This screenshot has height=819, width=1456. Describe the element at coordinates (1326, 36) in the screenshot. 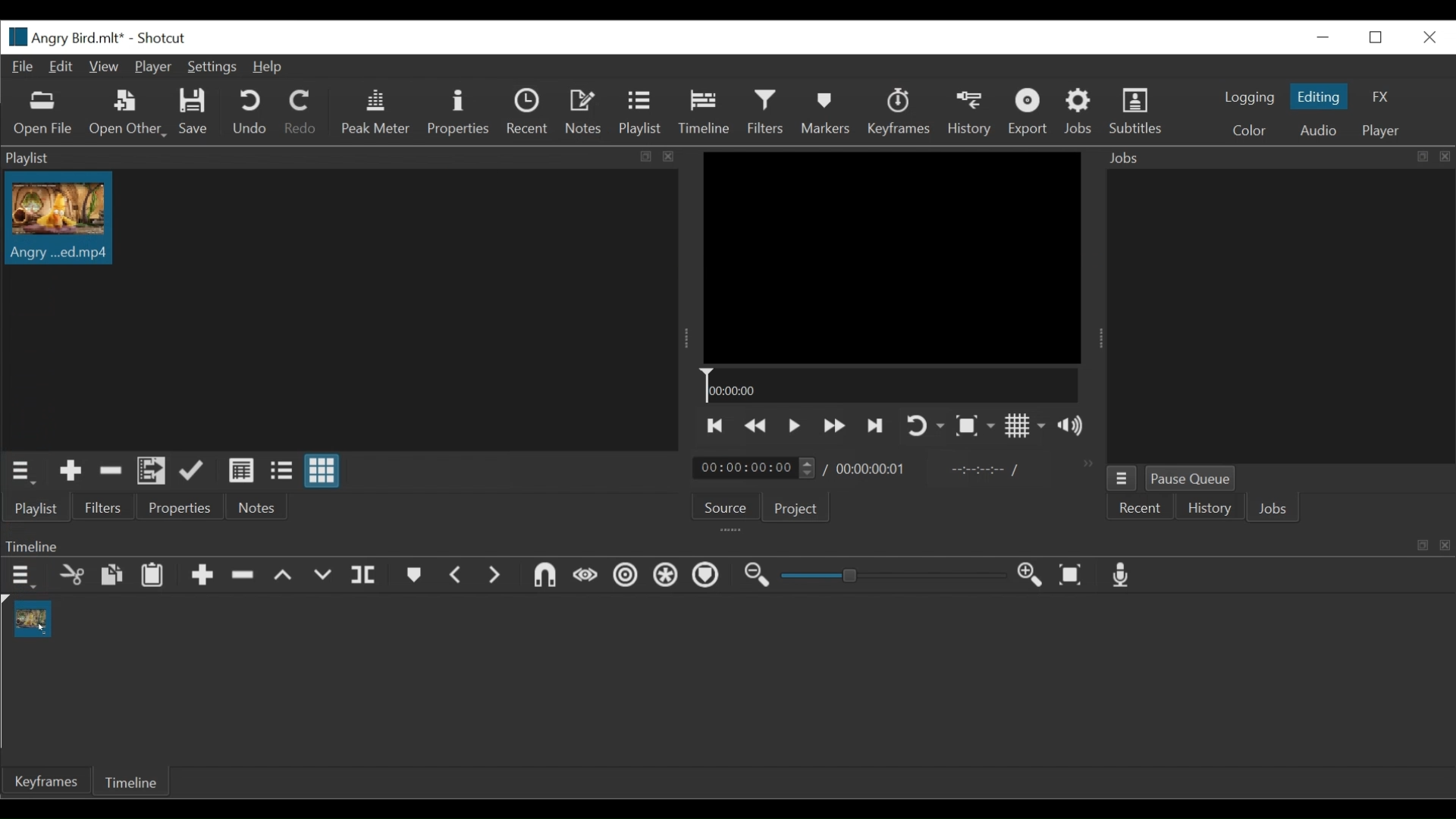

I see `Close` at that location.